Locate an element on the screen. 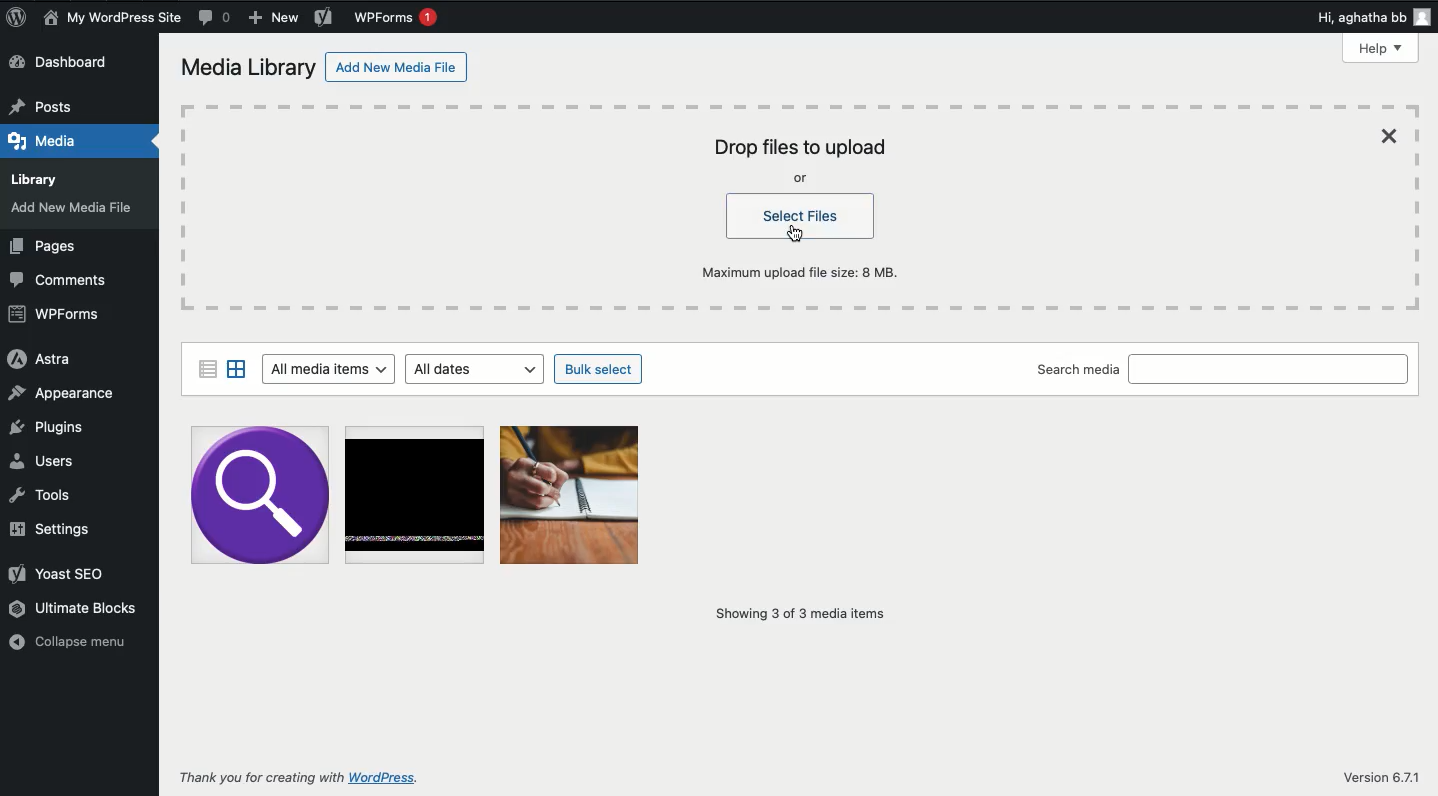  Grid is located at coordinates (238, 369).